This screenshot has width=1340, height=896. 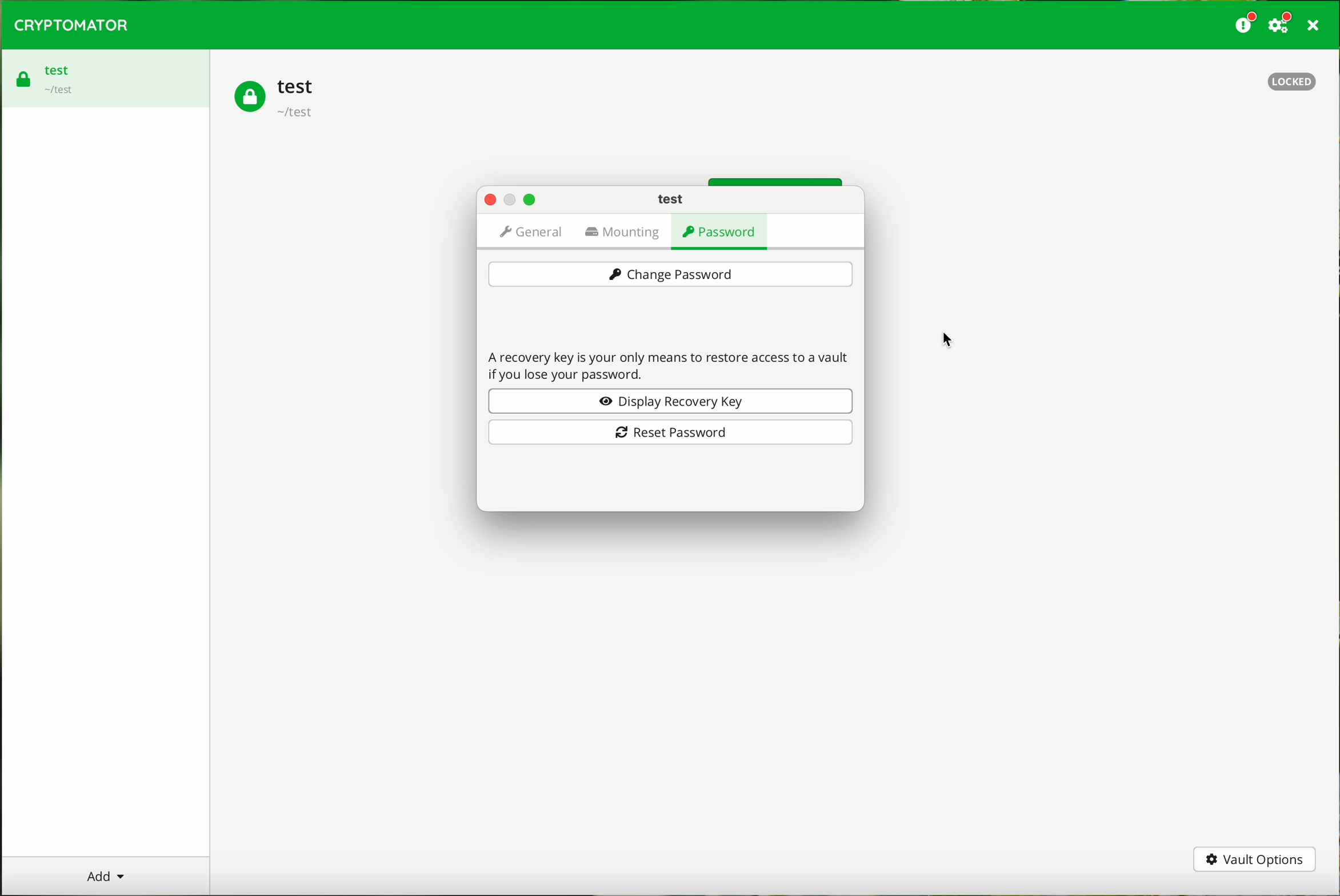 I want to click on reset password, so click(x=671, y=433).